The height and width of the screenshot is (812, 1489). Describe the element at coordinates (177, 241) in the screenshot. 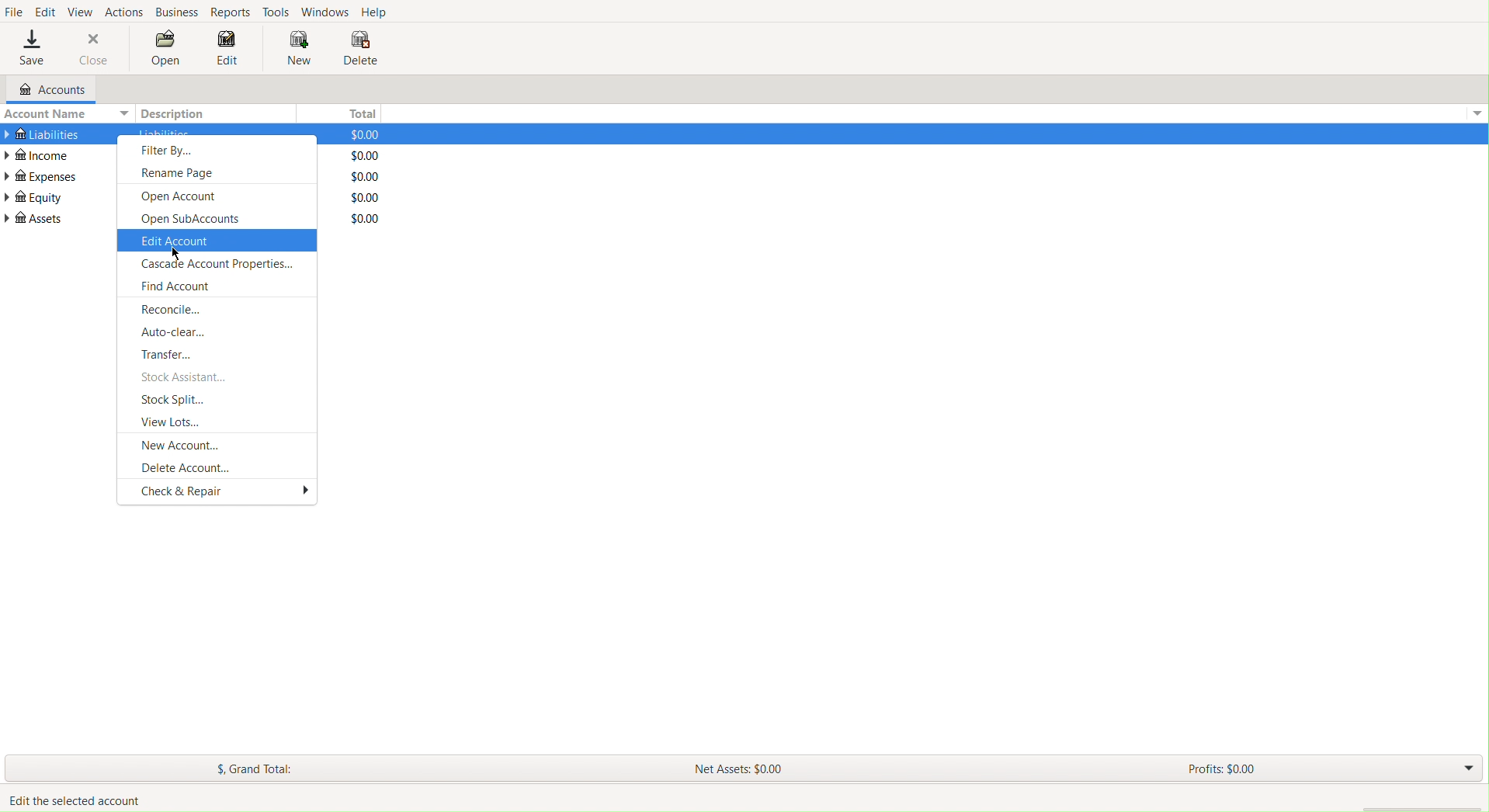

I see `Edit Account` at that location.